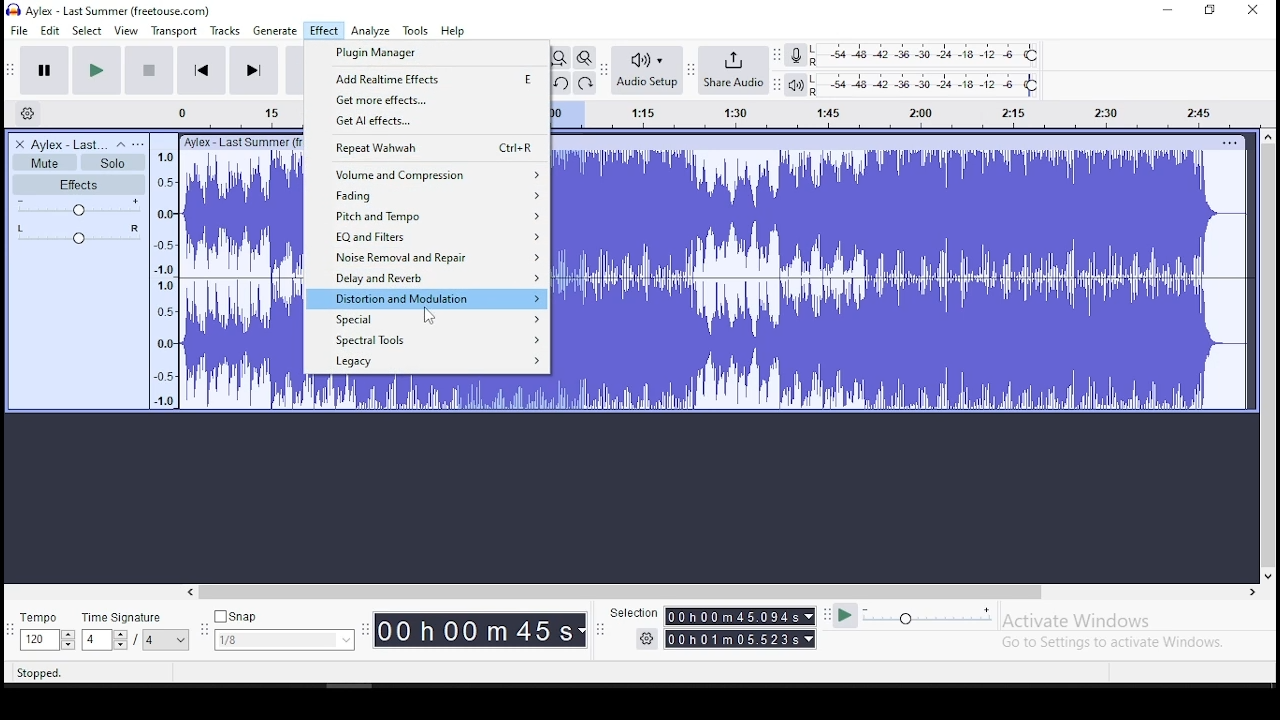 Image resolution: width=1280 pixels, height=720 pixels. What do you see at coordinates (80, 184) in the screenshot?
I see `effects` at bounding box center [80, 184].